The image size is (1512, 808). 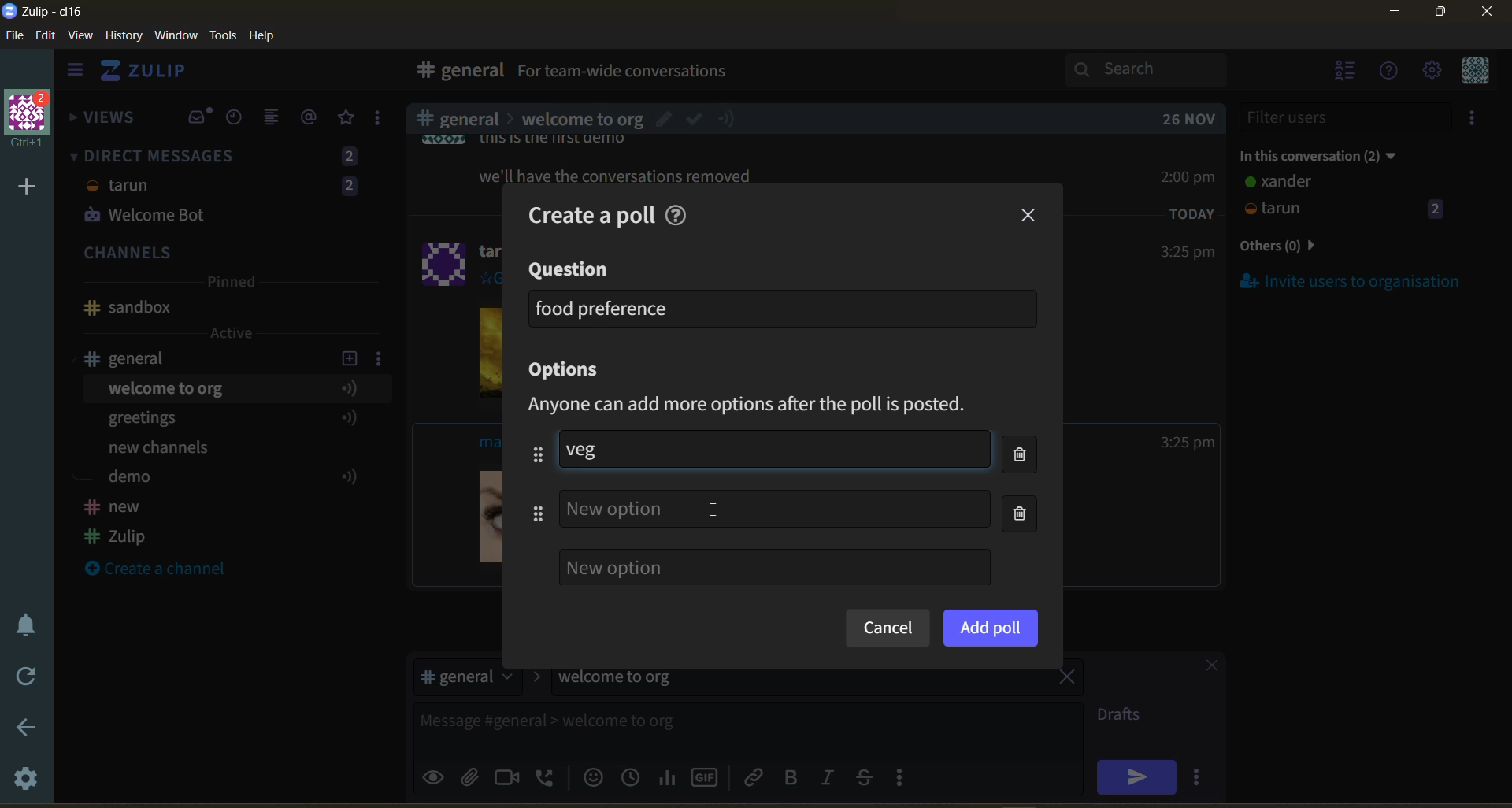 What do you see at coordinates (124, 39) in the screenshot?
I see `history` at bounding box center [124, 39].